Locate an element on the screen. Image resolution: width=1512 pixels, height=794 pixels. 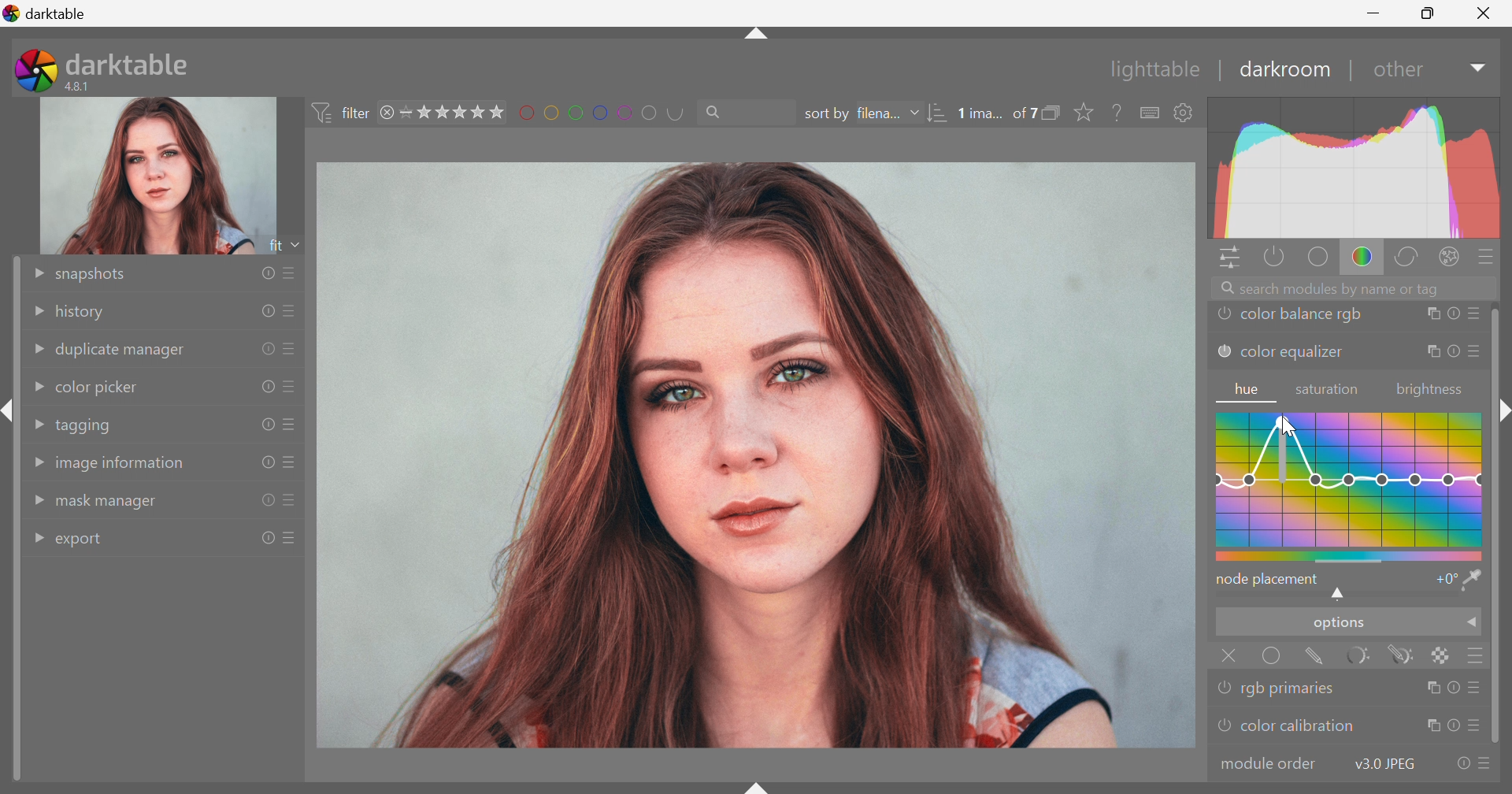
presets is located at coordinates (1488, 256).